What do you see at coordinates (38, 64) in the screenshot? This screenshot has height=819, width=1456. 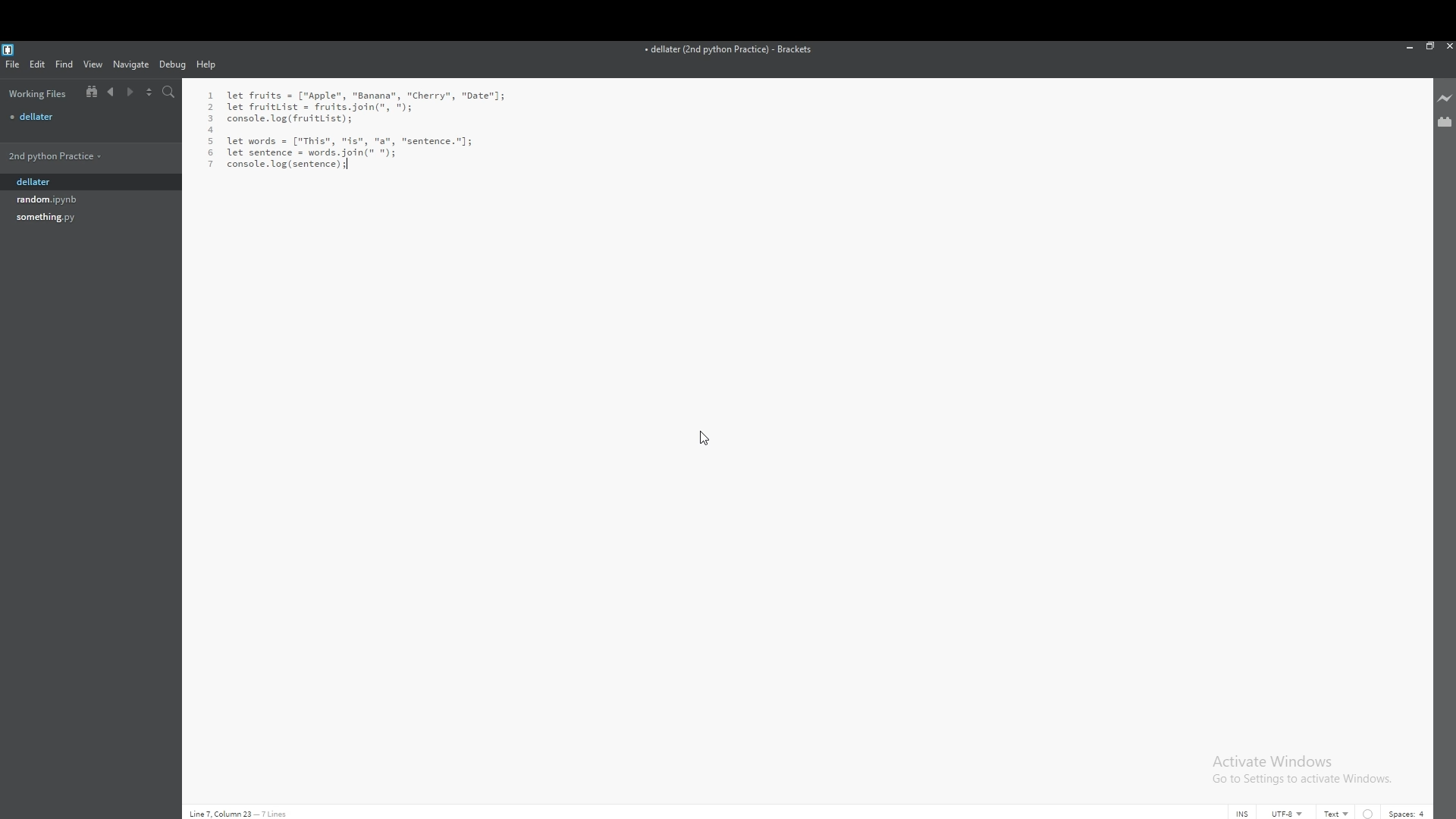 I see `edit` at bounding box center [38, 64].